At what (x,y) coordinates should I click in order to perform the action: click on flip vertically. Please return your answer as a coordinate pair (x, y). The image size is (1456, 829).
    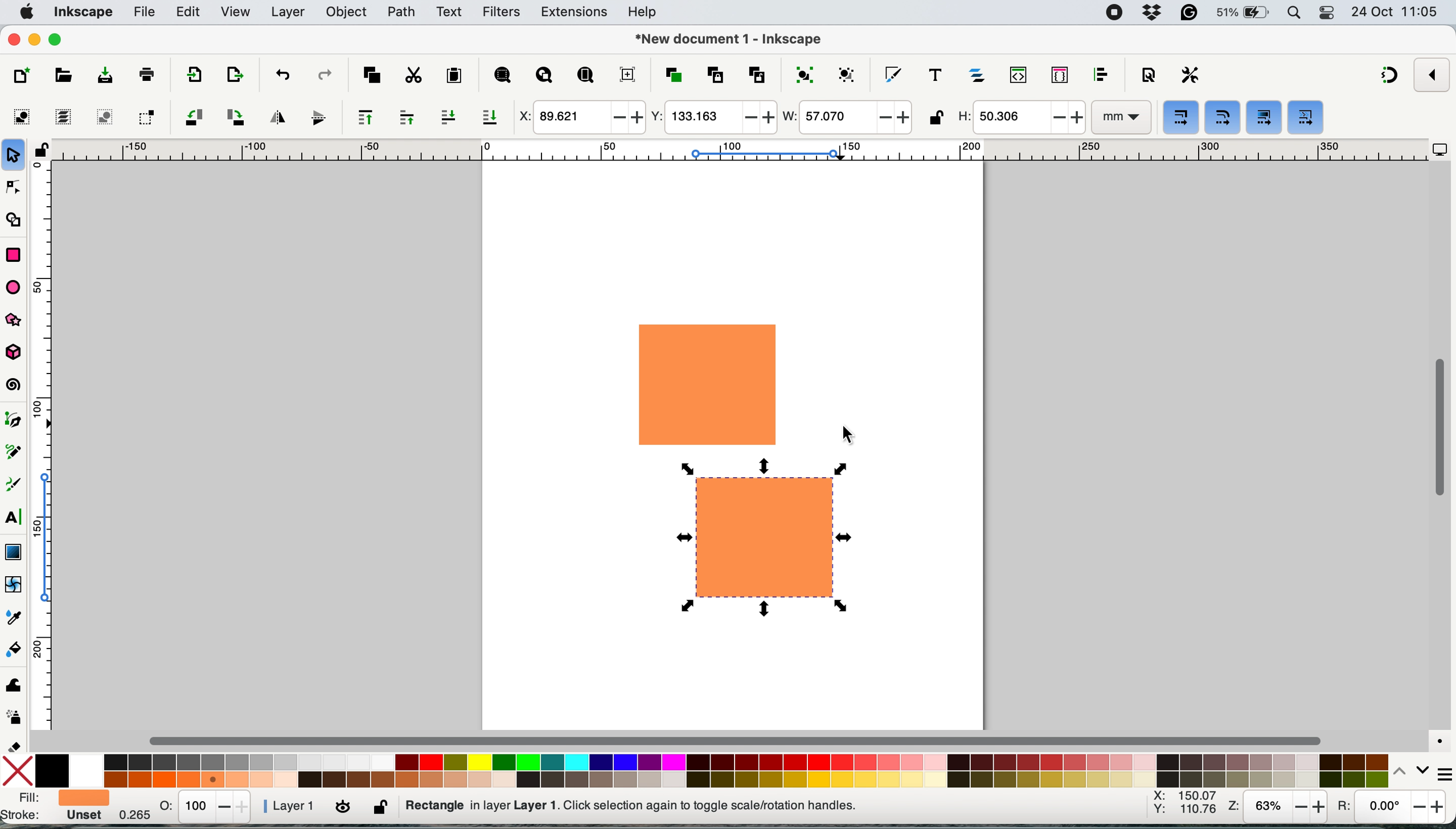
    Looking at the image, I should click on (314, 117).